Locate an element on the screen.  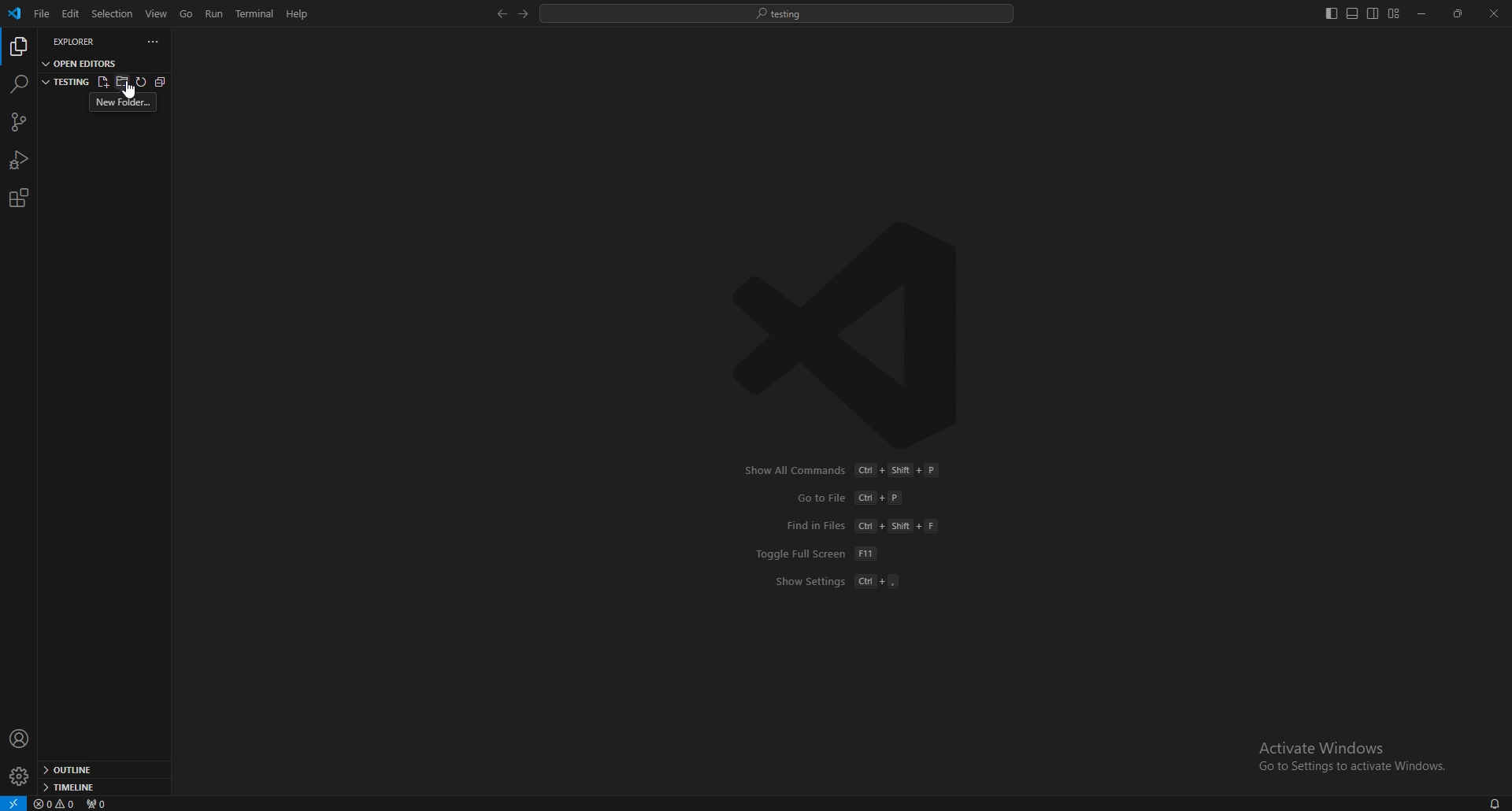
extension is located at coordinates (18, 198).